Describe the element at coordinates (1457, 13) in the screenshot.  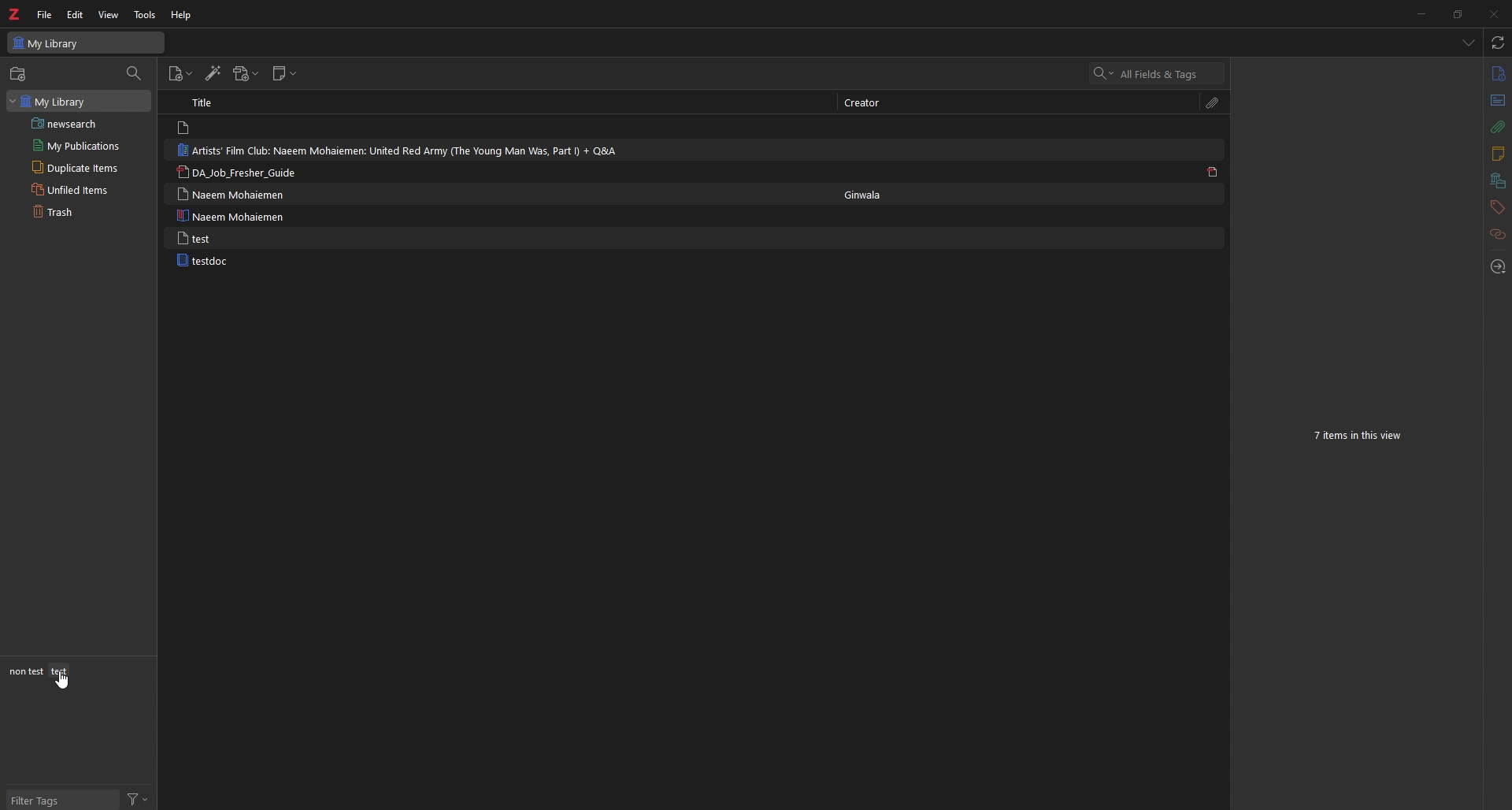
I see `resize` at that location.